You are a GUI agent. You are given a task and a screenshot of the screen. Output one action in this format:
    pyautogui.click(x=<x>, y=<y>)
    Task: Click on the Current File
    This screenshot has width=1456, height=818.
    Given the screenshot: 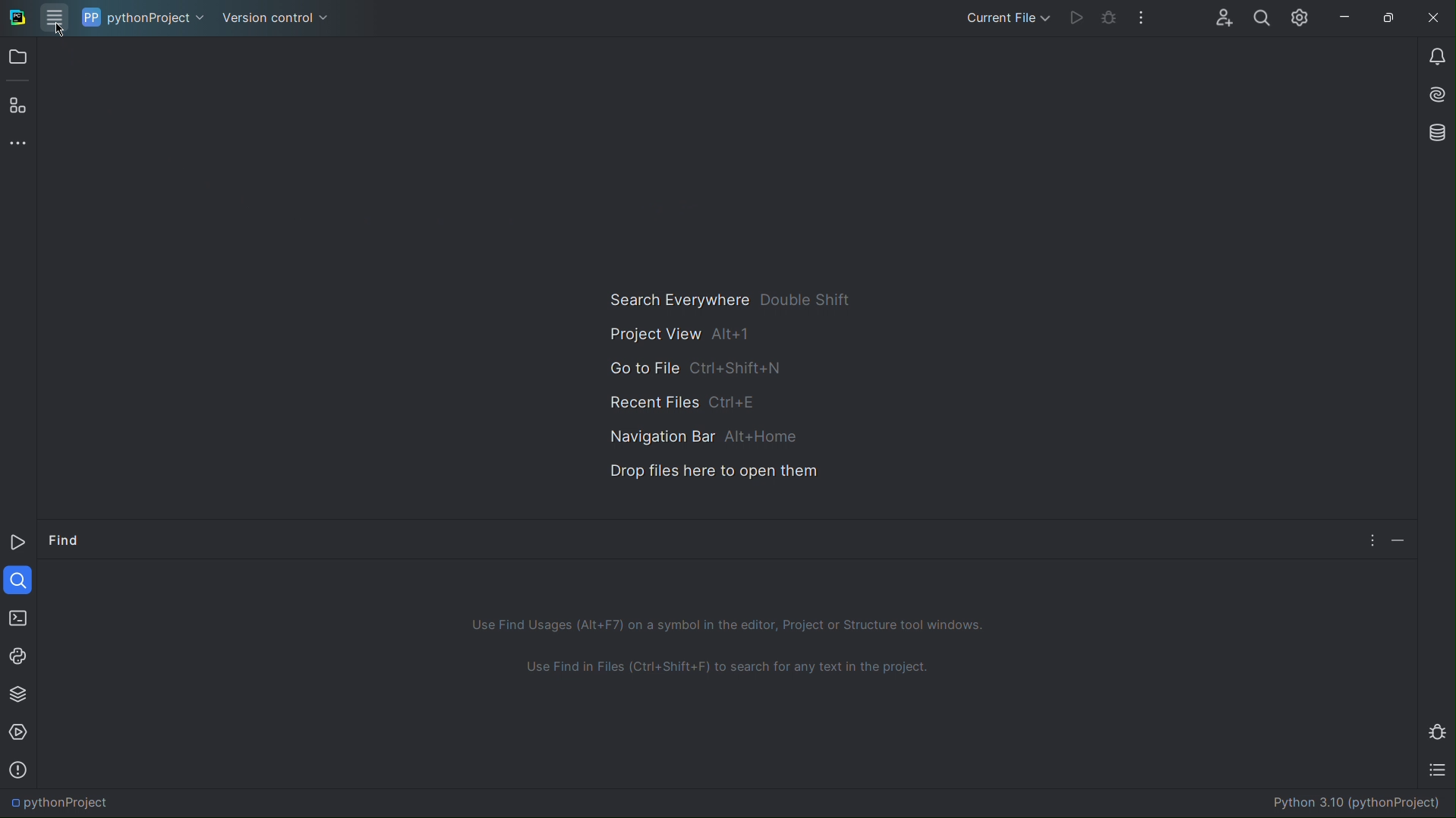 What is the action you would take?
    pyautogui.click(x=1010, y=14)
    